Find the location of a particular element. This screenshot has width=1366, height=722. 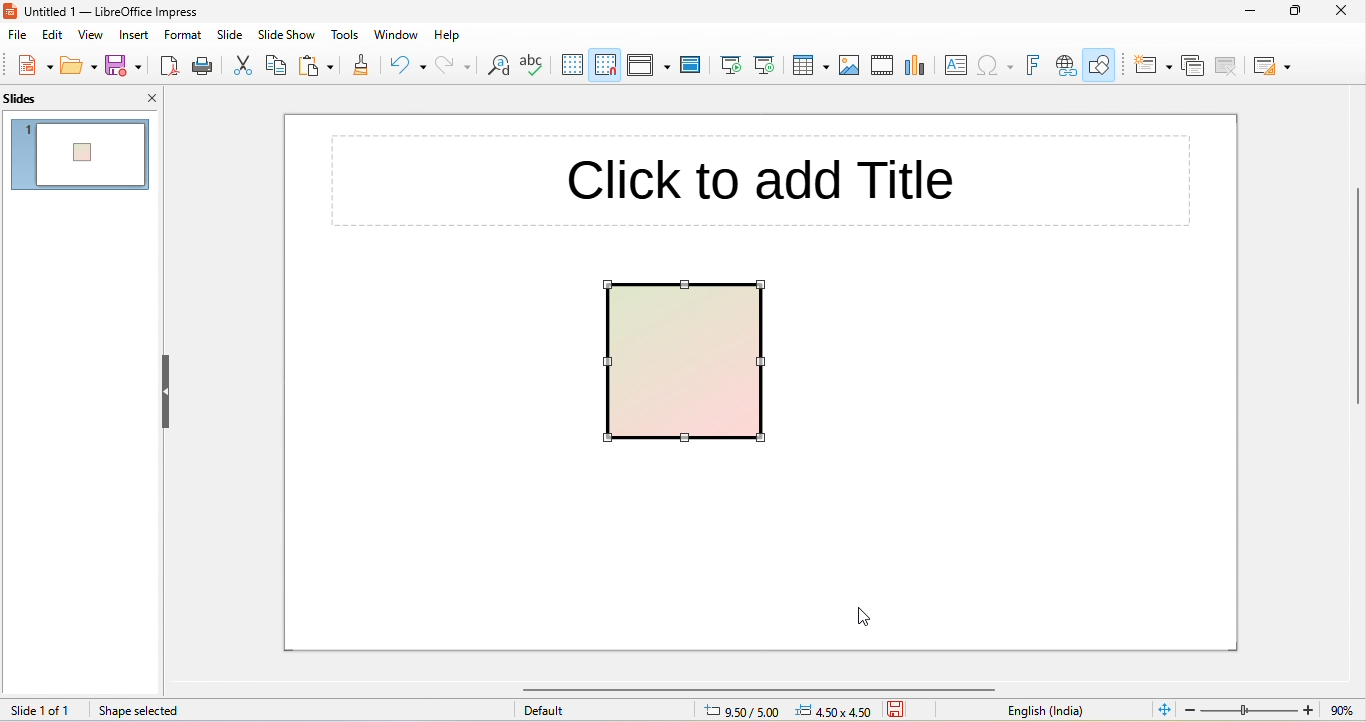

shape selected is located at coordinates (143, 712).